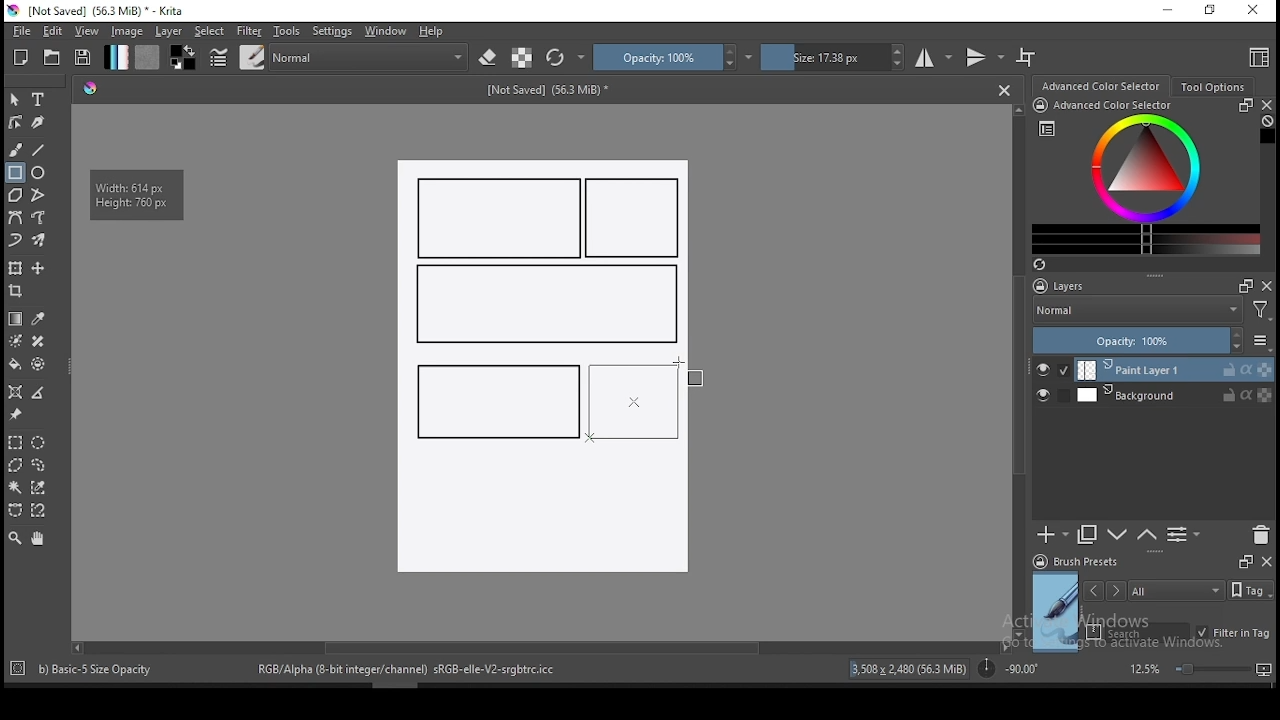 The height and width of the screenshot is (720, 1280). Describe the element at coordinates (217, 57) in the screenshot. I see `brush settings` at that location.